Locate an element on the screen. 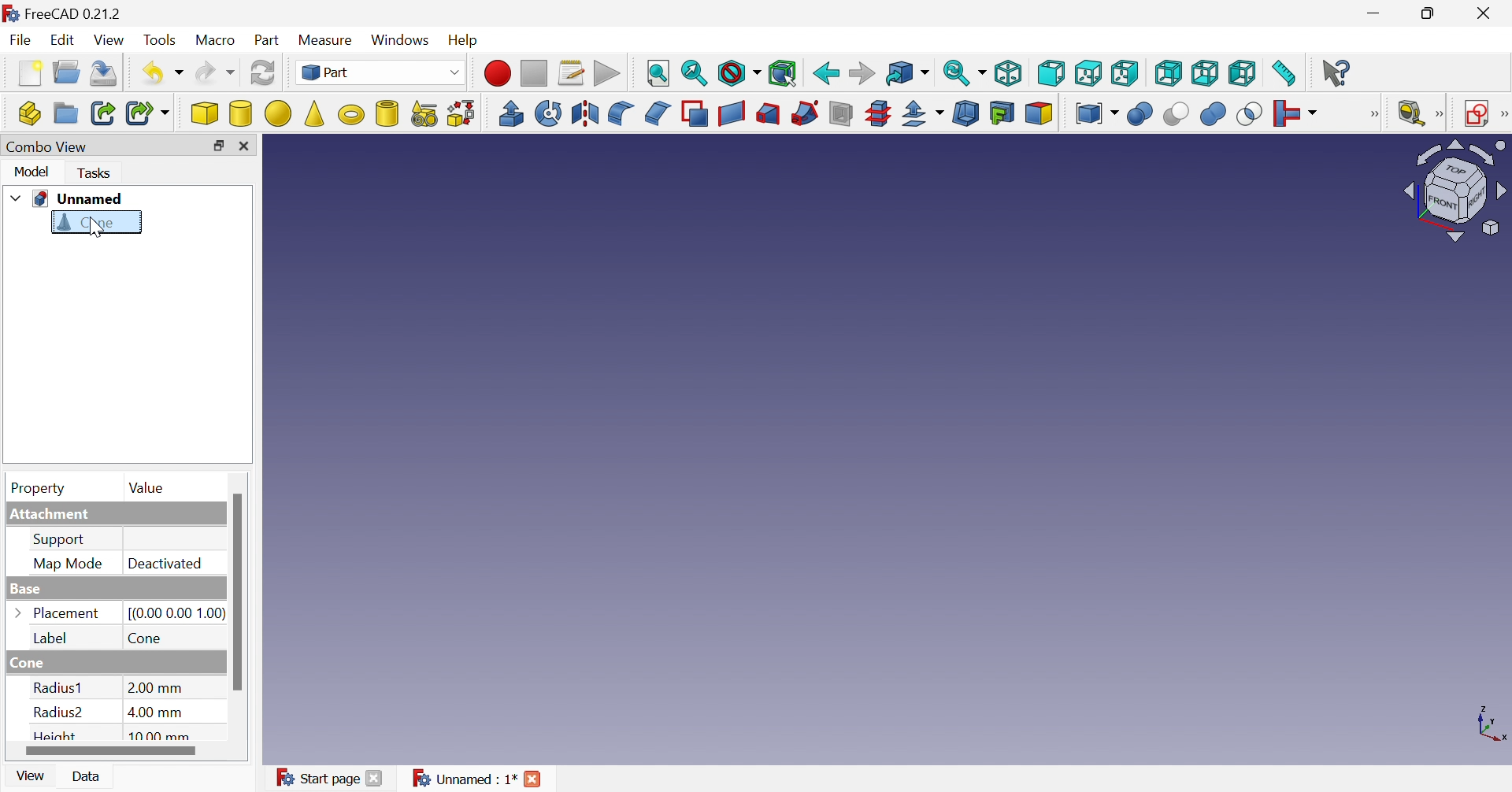  Rear is located at coordinates (1169, 73).